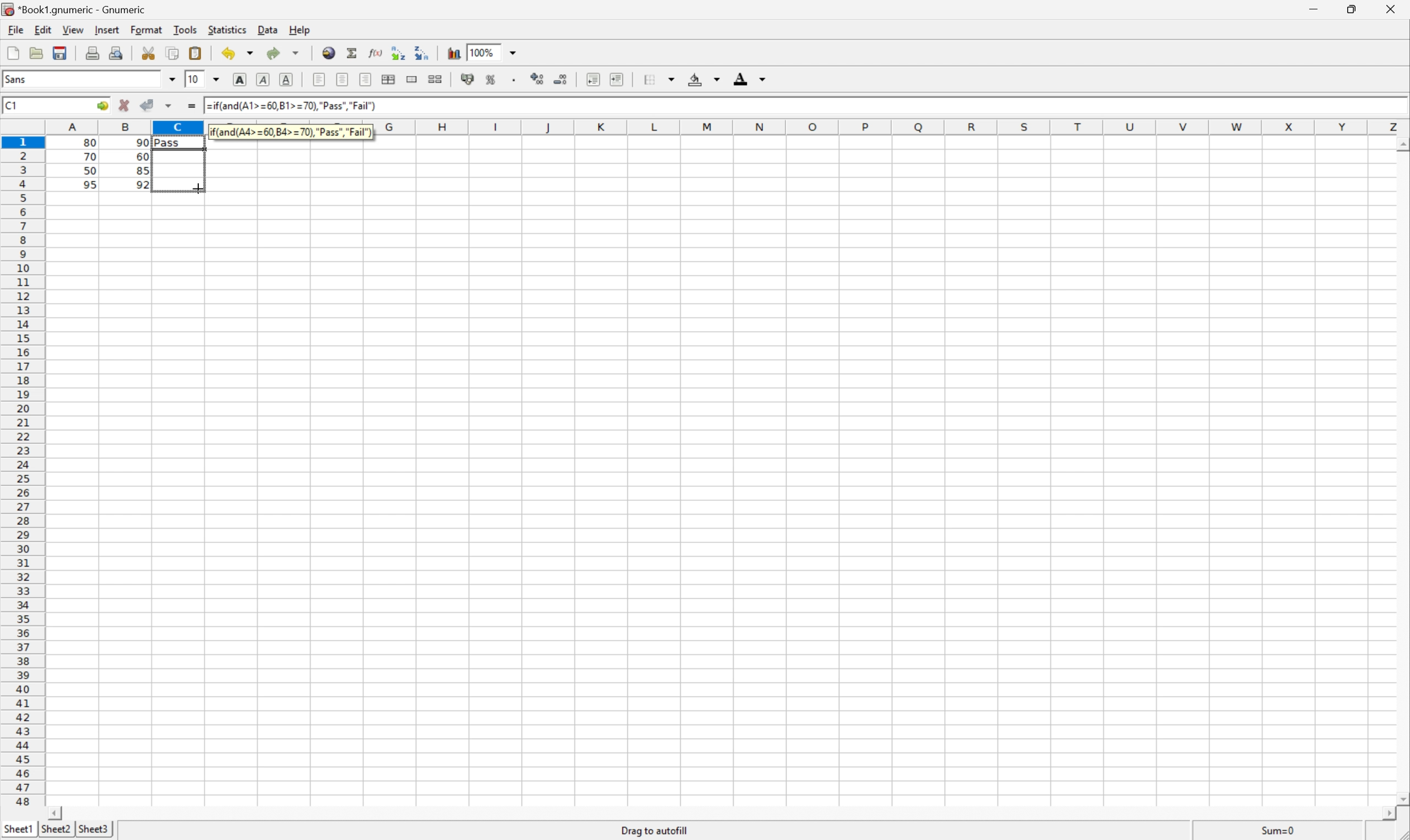  Describe the element at coordinates (437, 79) in the screenshot. I see `Split merged ranges of cells` at that location.